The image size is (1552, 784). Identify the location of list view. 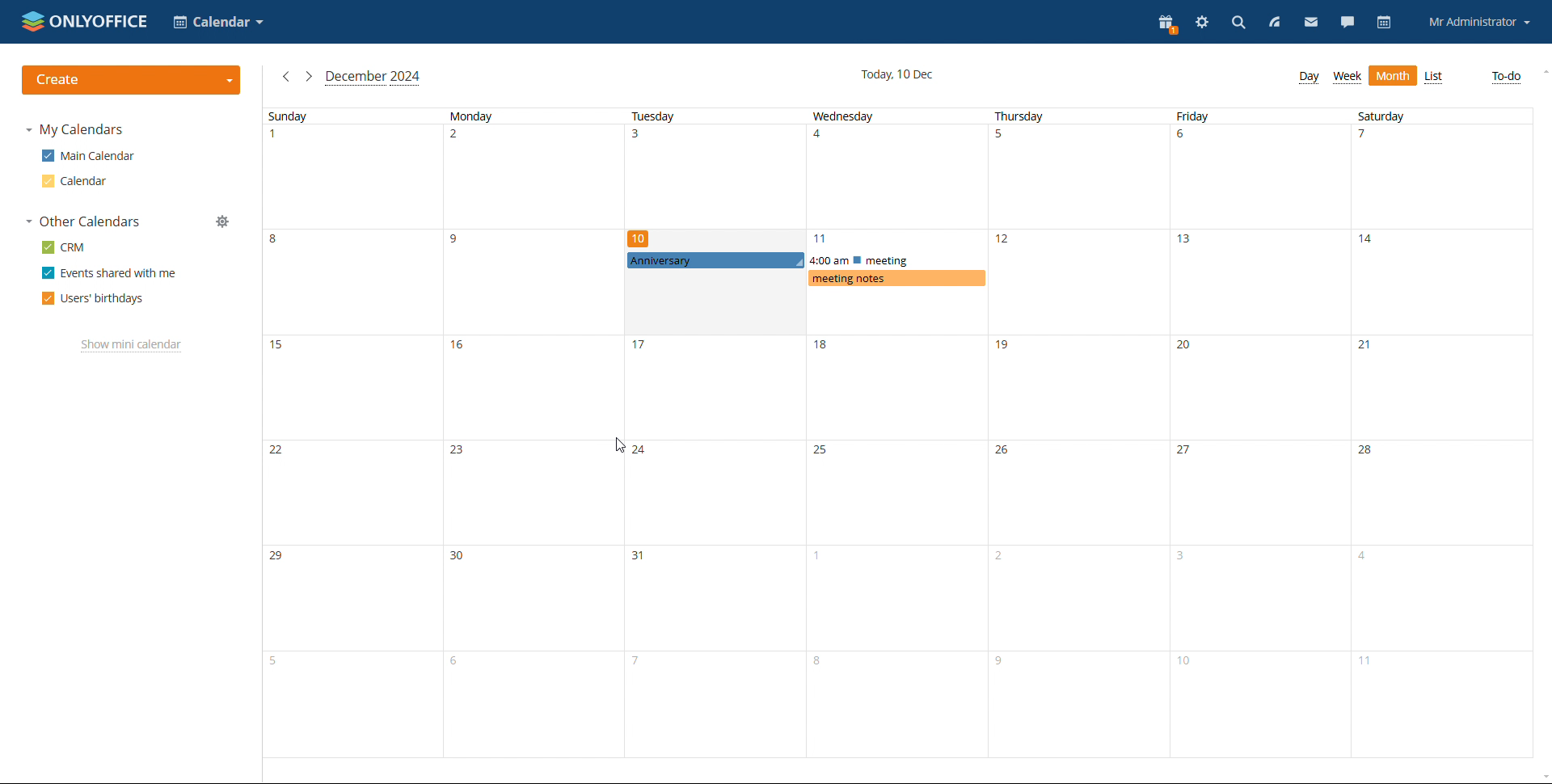
(1435, 78).